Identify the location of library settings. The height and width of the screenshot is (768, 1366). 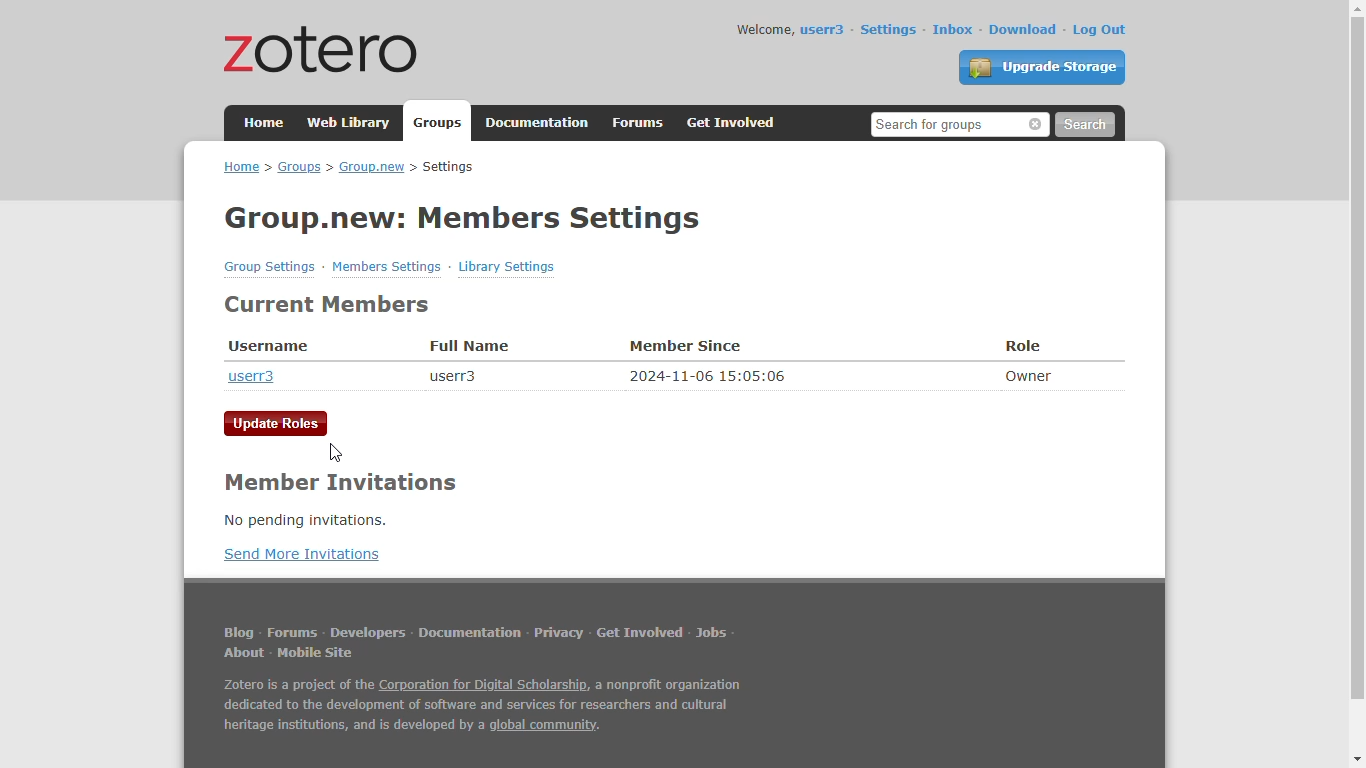
(507, 266).